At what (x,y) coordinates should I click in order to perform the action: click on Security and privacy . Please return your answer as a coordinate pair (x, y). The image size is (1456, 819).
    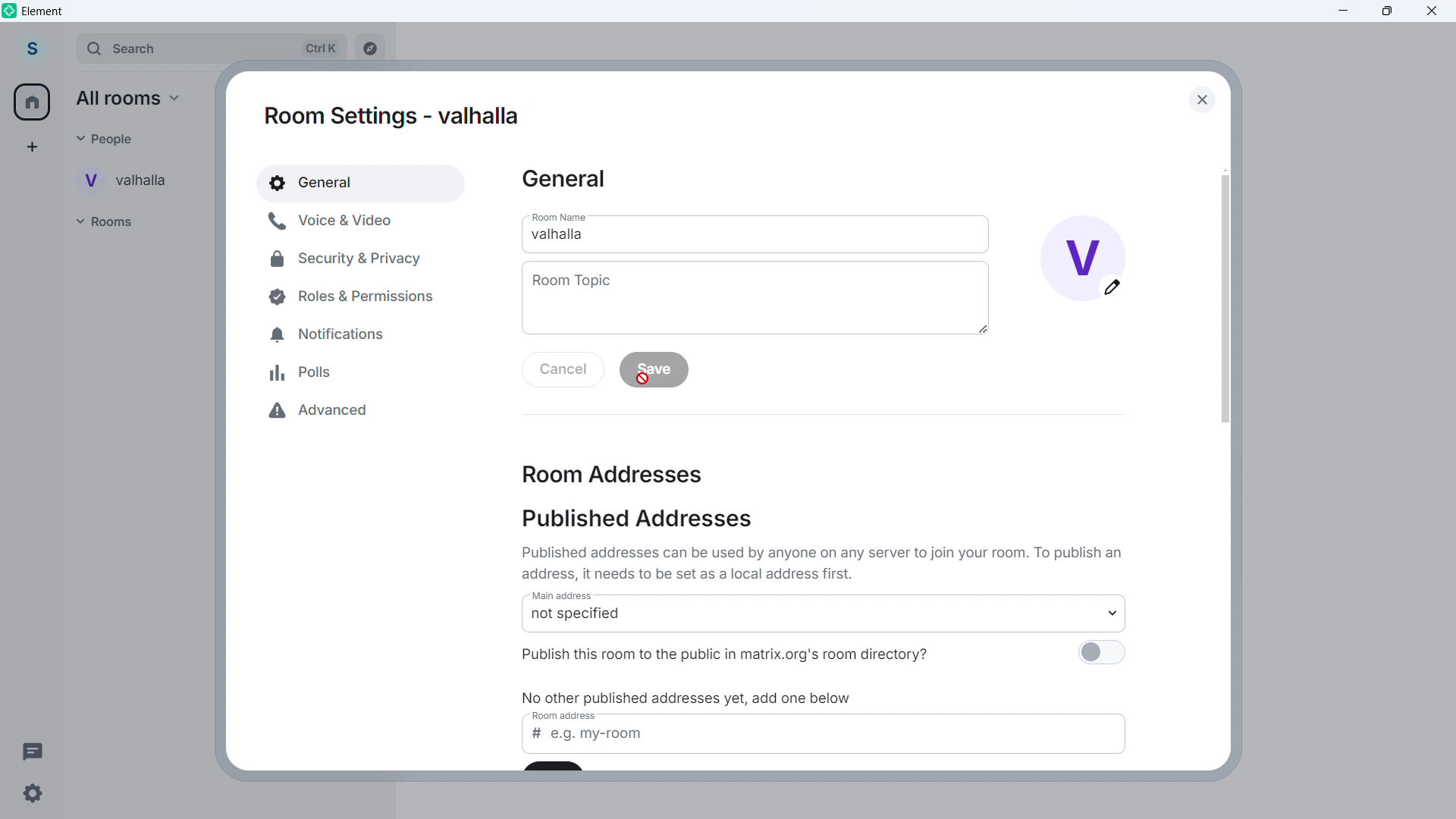
    Looking at the image, I should click on (348, 258).